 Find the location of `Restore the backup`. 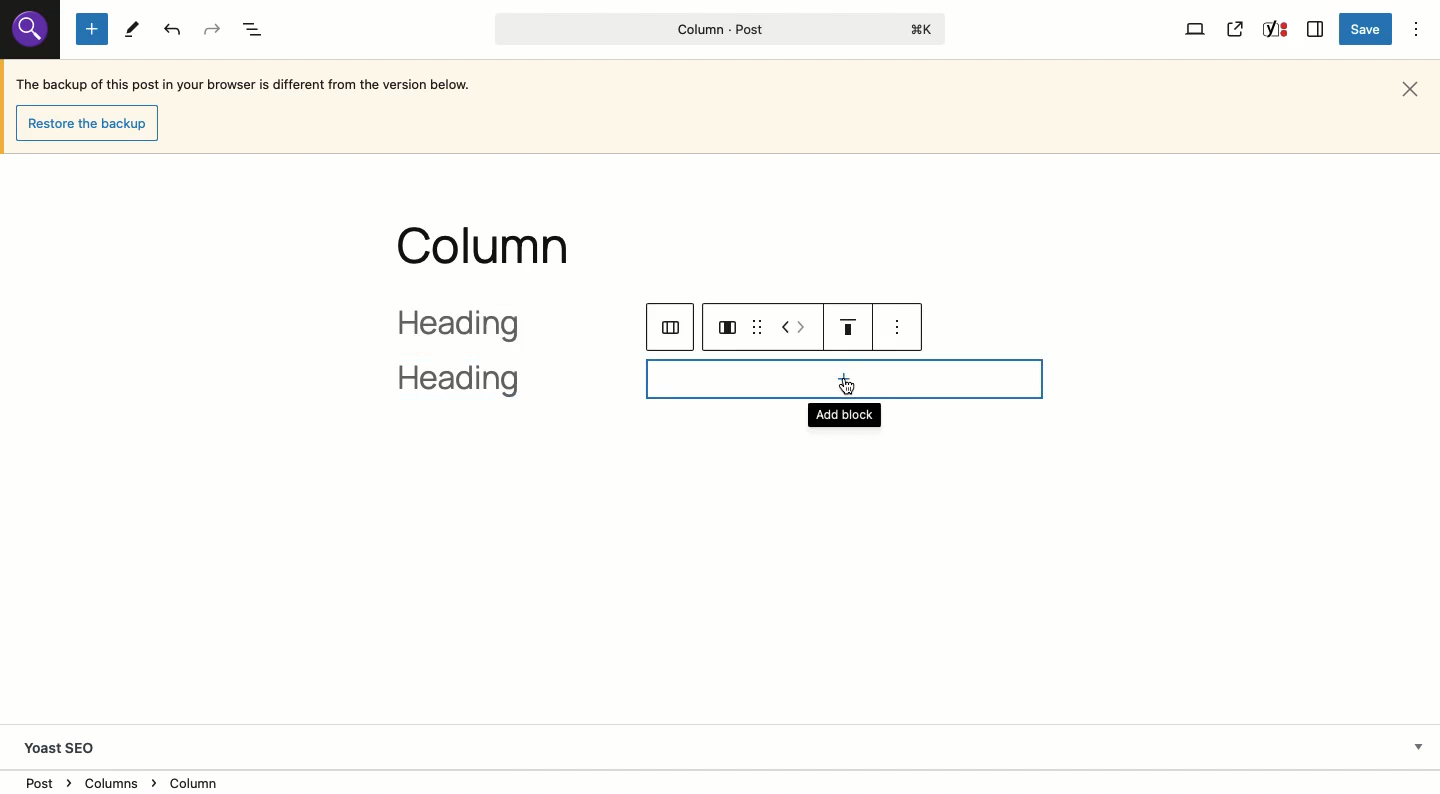

Restore the backup is located at coordinates (92, 124).